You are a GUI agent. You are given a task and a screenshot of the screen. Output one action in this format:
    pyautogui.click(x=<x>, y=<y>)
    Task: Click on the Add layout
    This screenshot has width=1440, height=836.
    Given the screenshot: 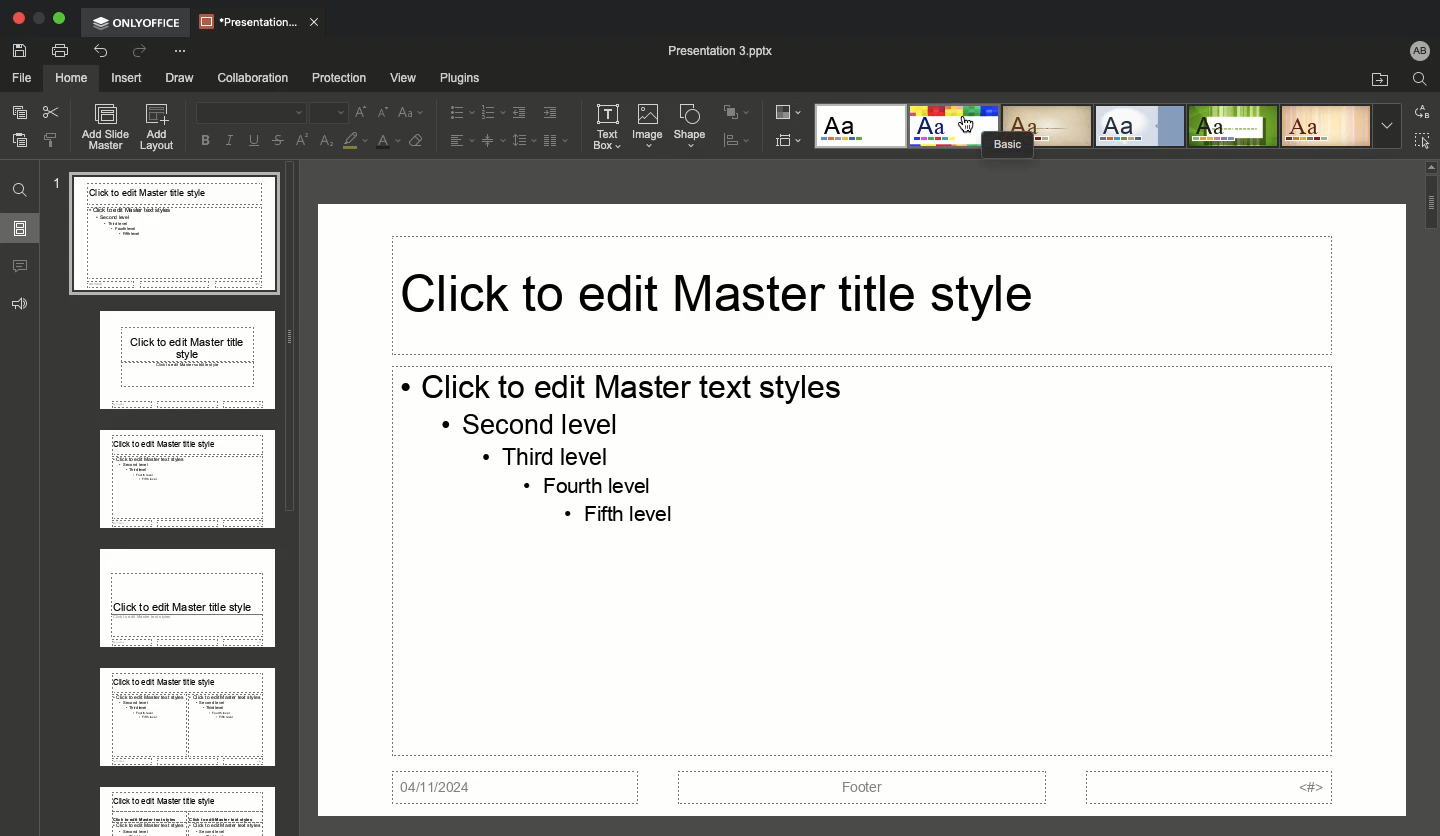 What is the action you would take?
    pyautogui.click(x=159, y=128)
    